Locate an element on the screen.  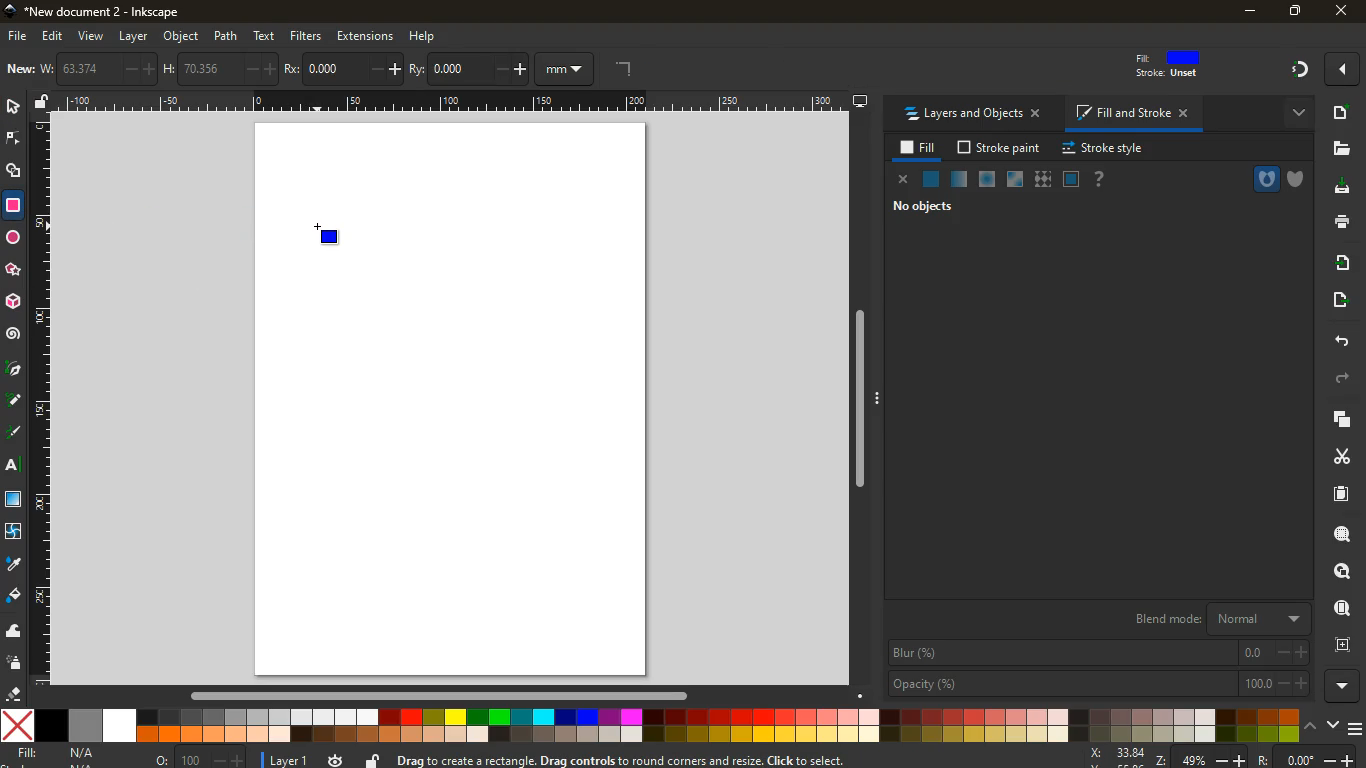
window is located at coordinates (1014, 179).